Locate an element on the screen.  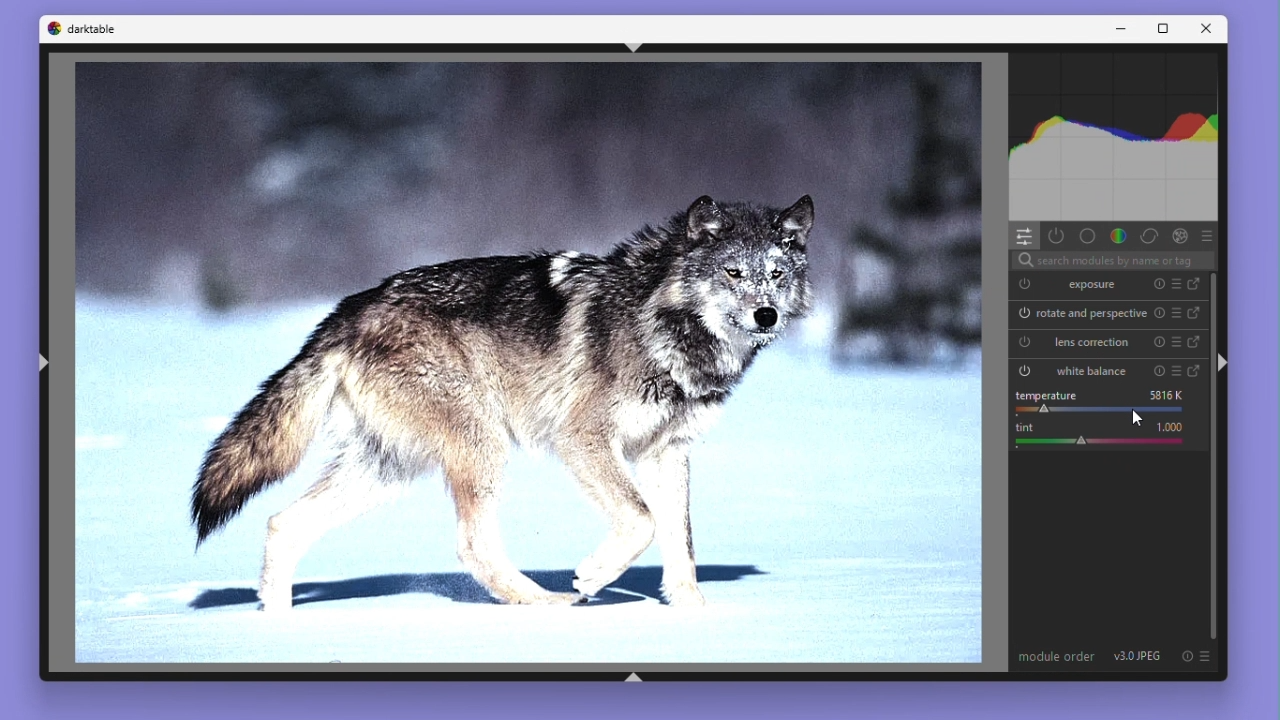
Preset is located at coordinates (1177, 343).